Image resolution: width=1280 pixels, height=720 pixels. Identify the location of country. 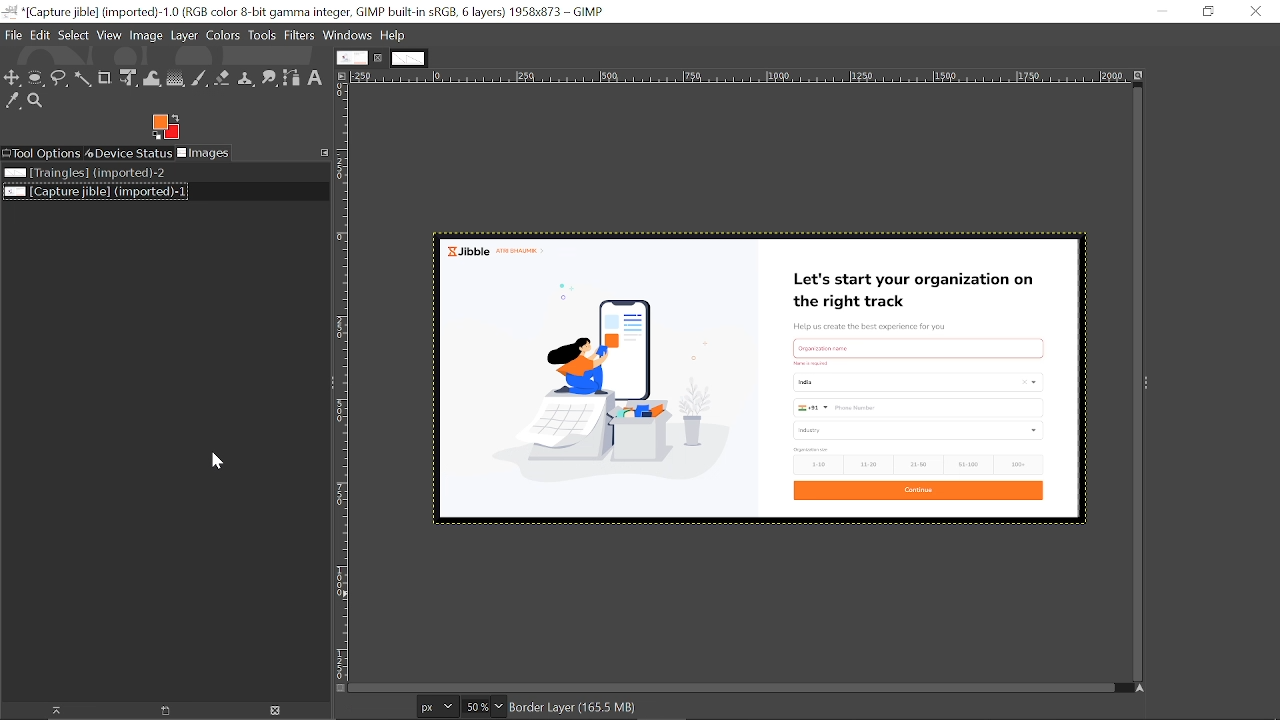
(918, 381).